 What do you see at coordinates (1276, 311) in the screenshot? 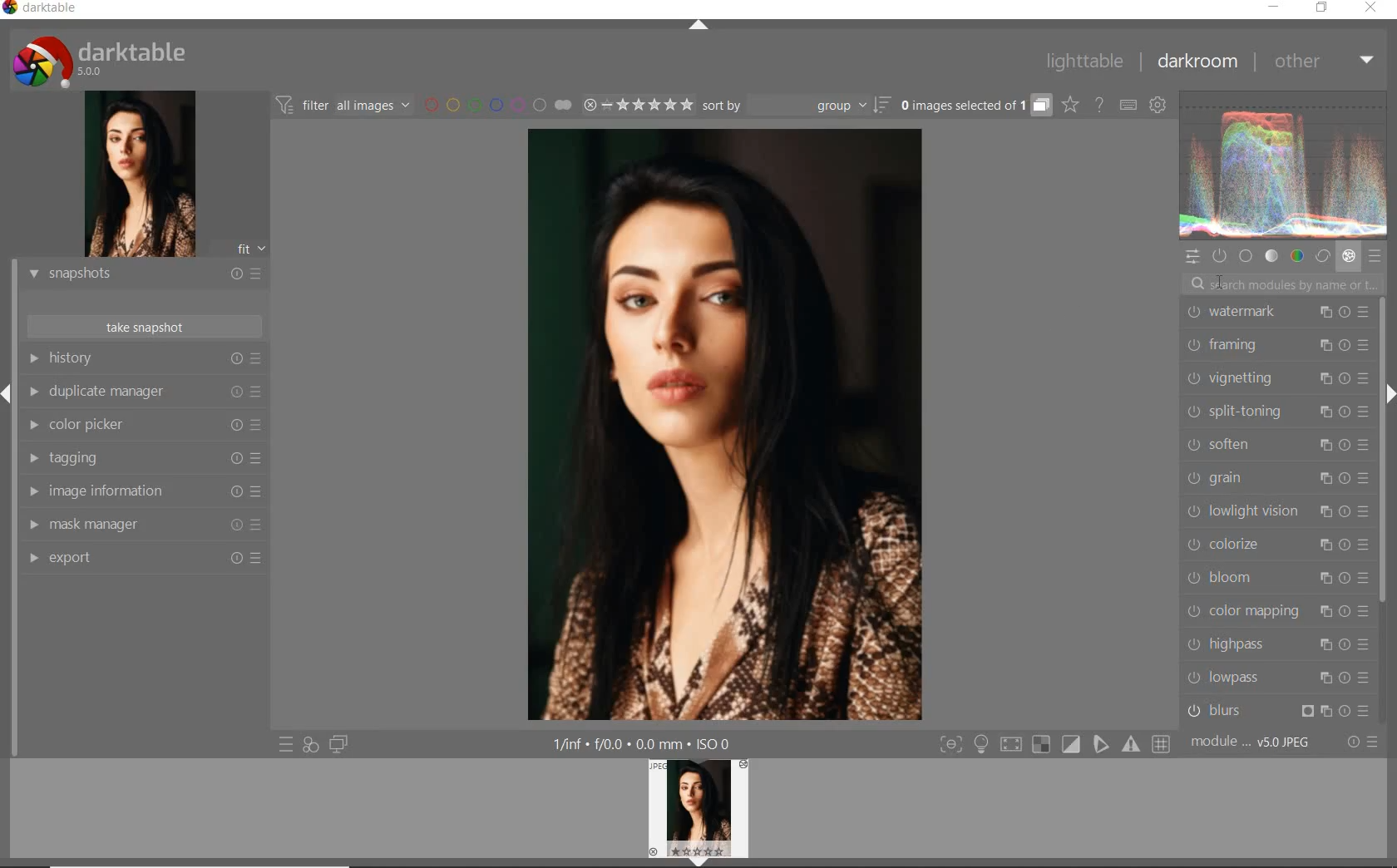
I see `watermark` at bounding box center [1276, 311].